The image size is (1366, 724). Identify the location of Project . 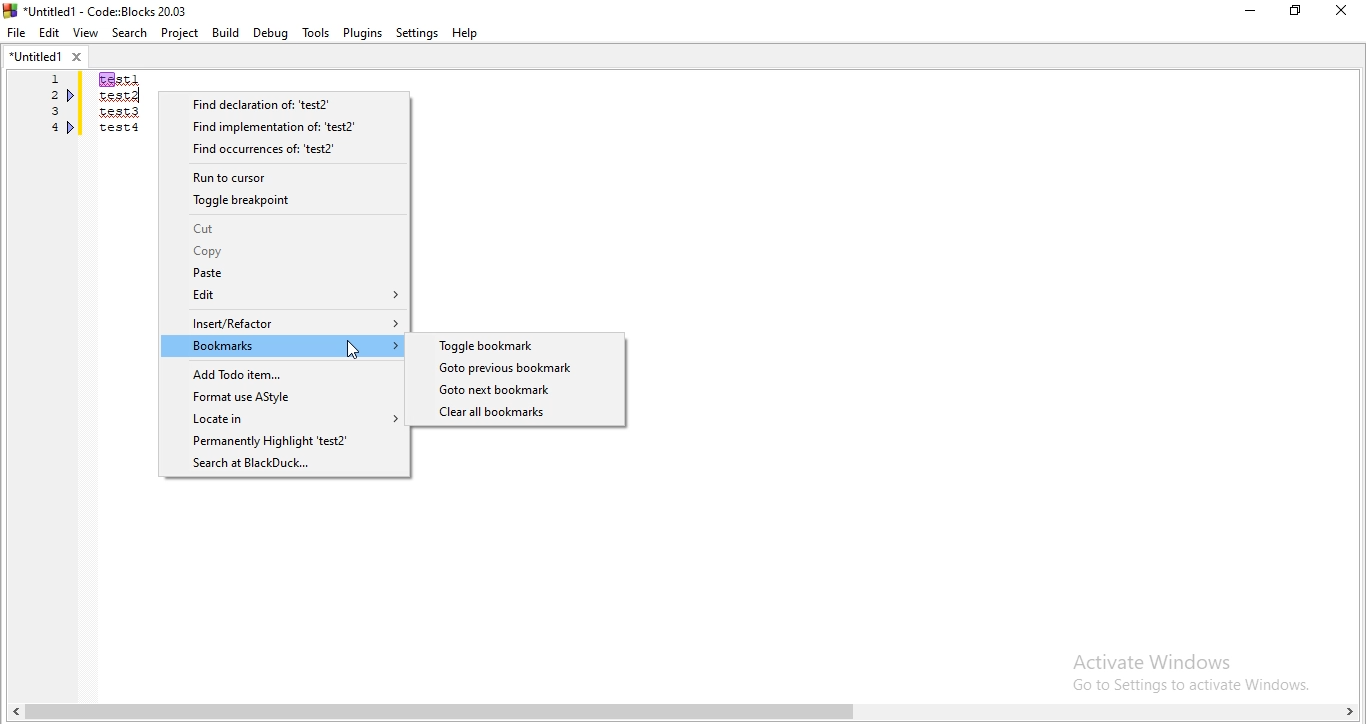
(181, 34).